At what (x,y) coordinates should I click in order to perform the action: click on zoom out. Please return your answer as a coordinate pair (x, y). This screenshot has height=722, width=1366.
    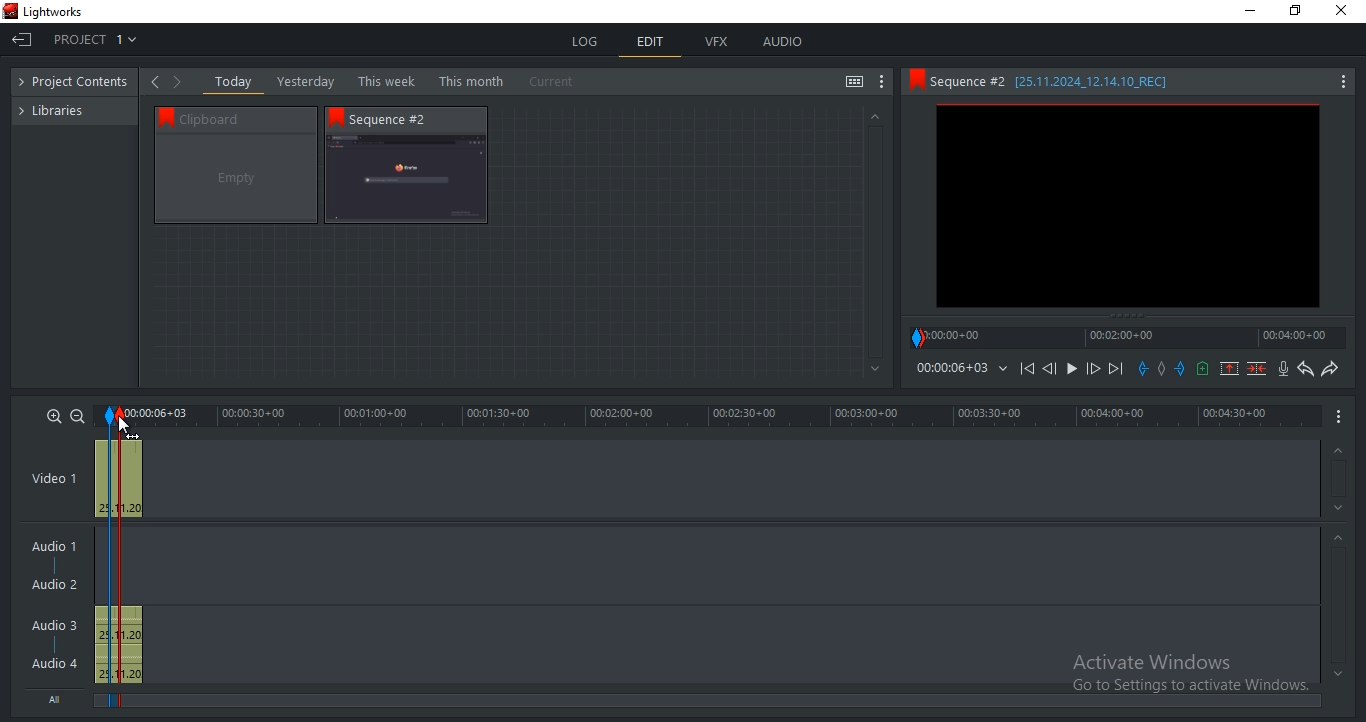
    Looking at the image, I should click on (77, 416).